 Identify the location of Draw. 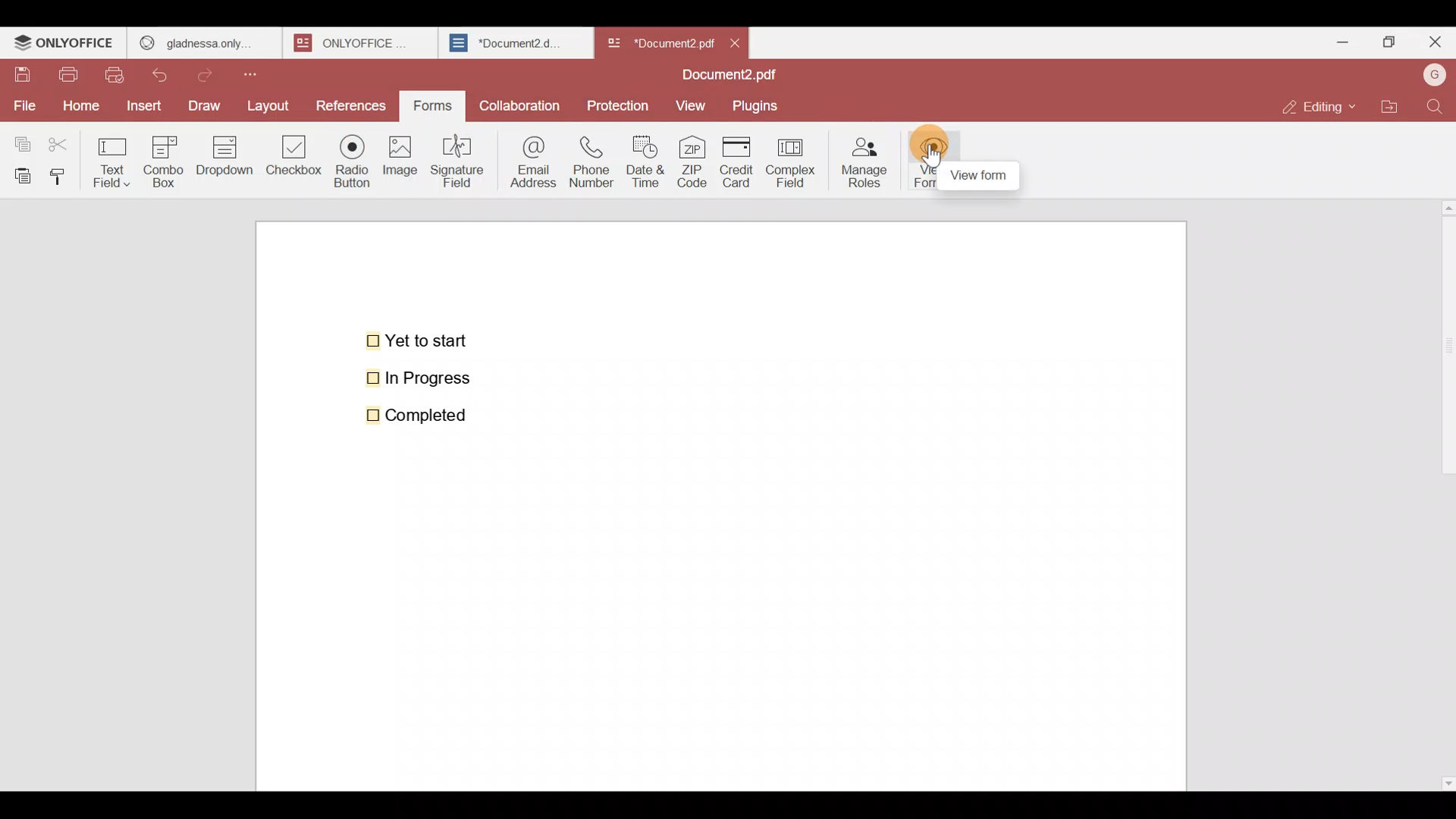
(209, 104).